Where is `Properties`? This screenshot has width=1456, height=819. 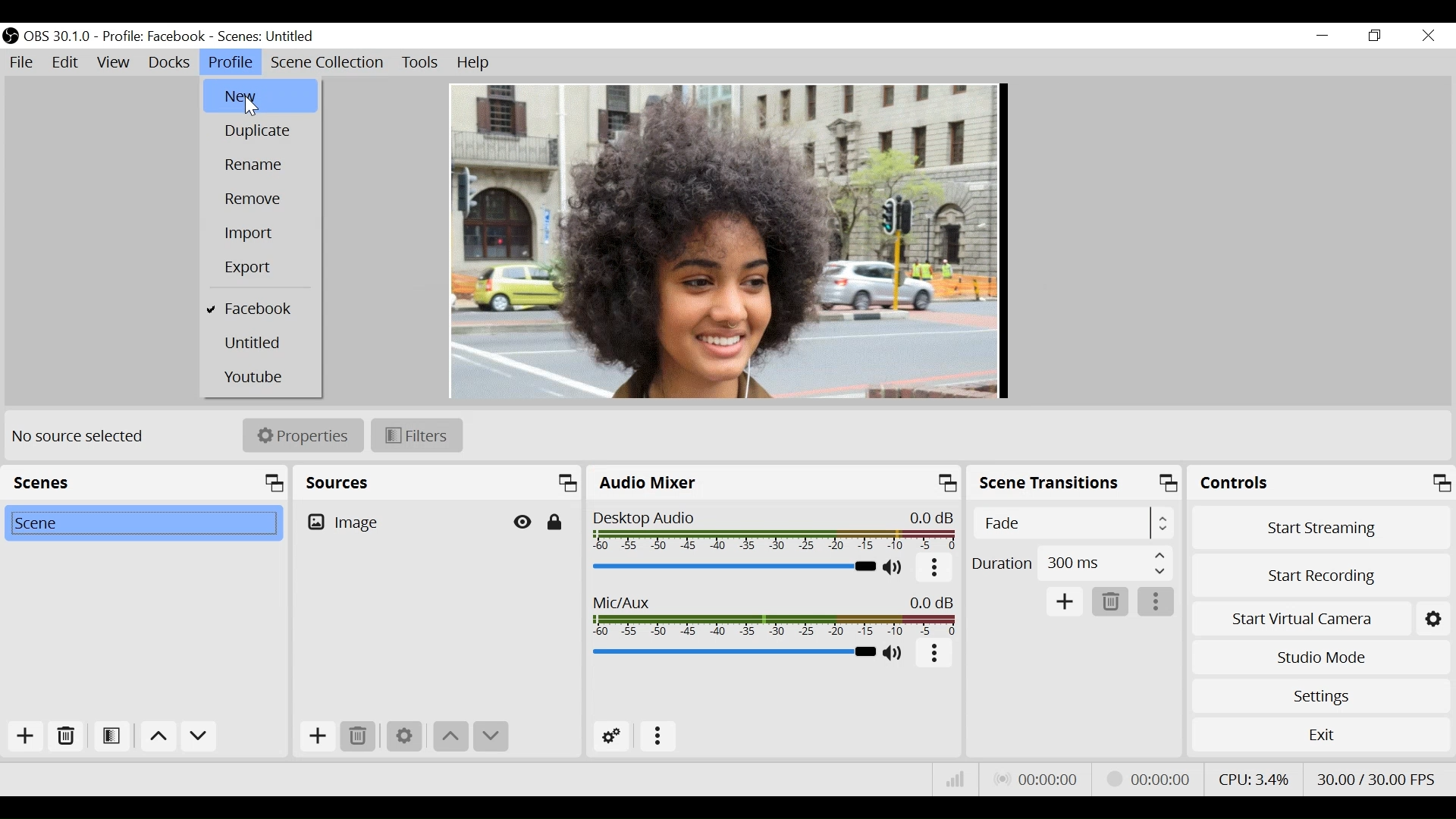
Properties is located at coordinates (303, 436).